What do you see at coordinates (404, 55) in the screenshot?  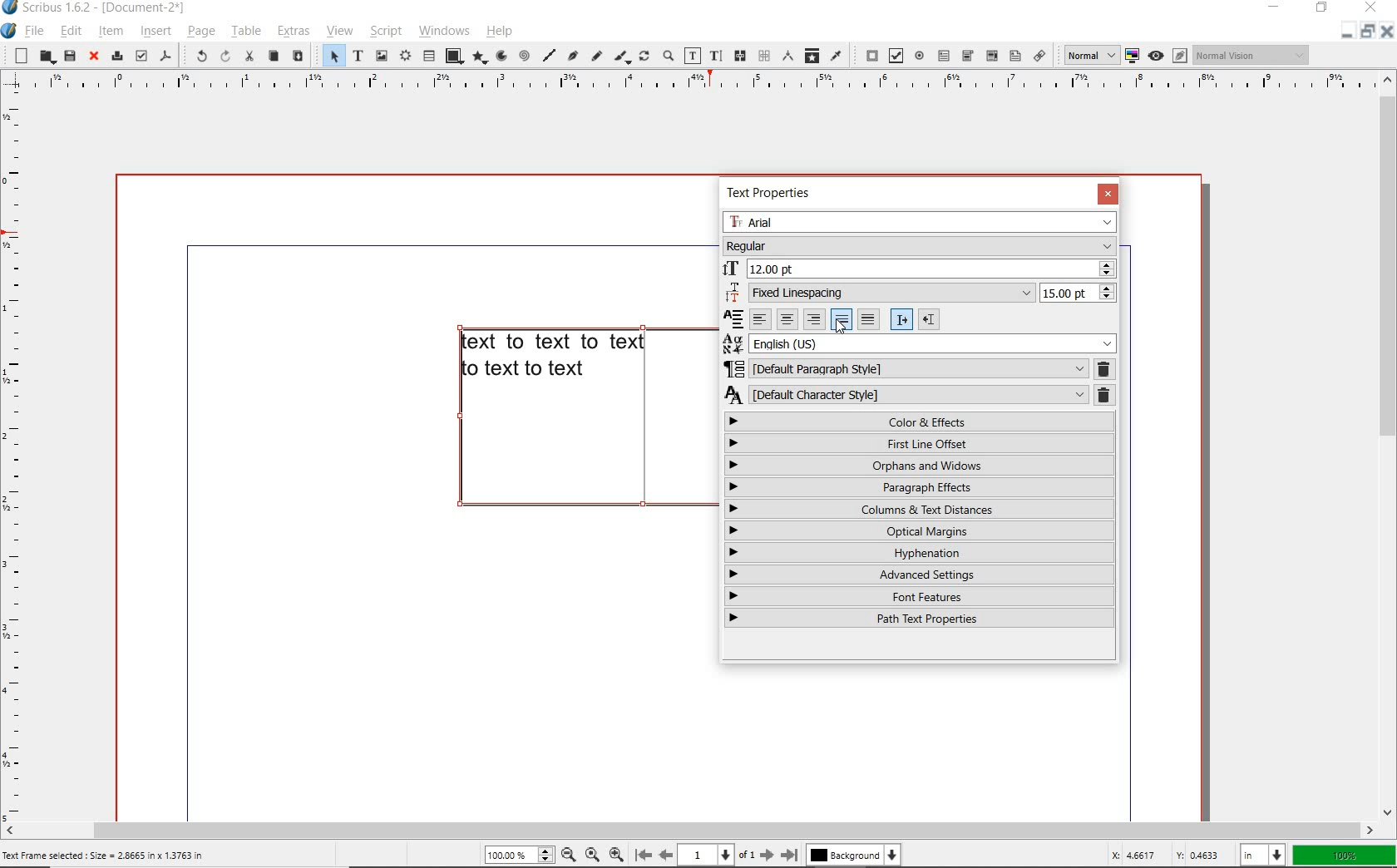 I see `render frame` at bounding box center [404, 55].